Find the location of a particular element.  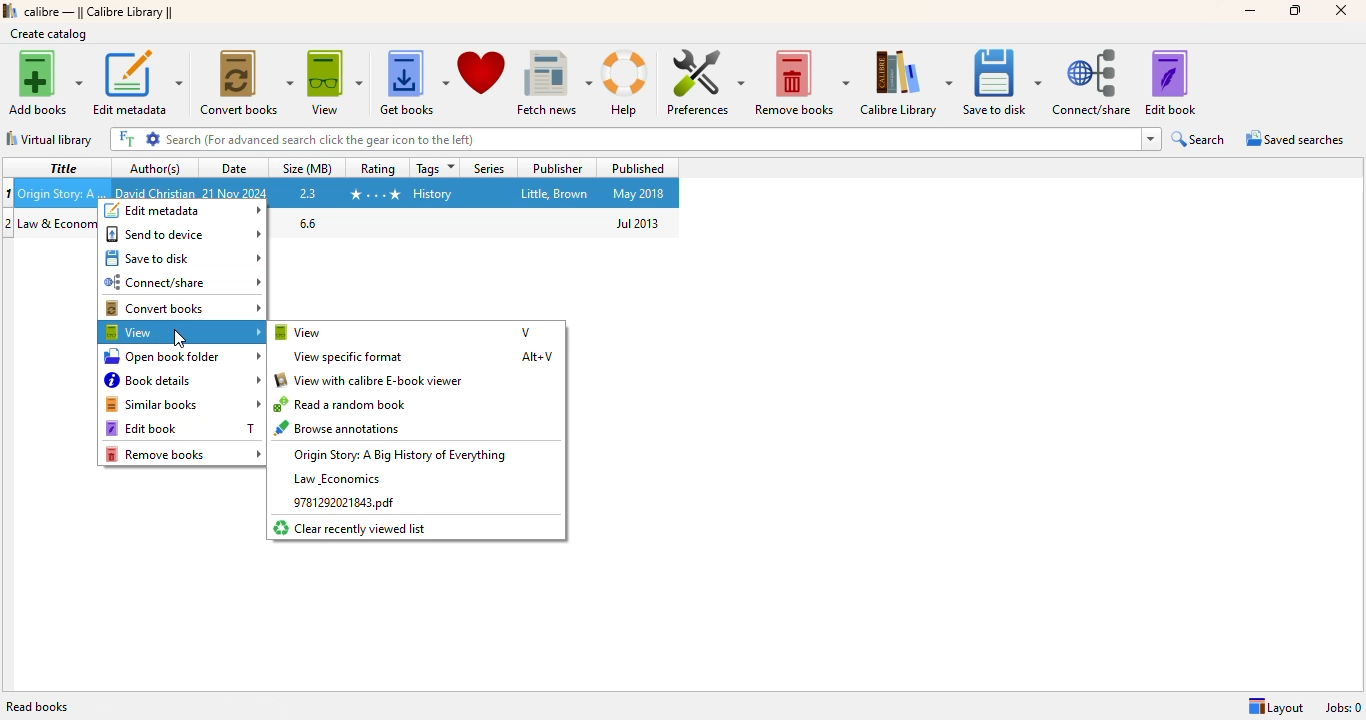

browse annotations is located at coordinates (340, 427).